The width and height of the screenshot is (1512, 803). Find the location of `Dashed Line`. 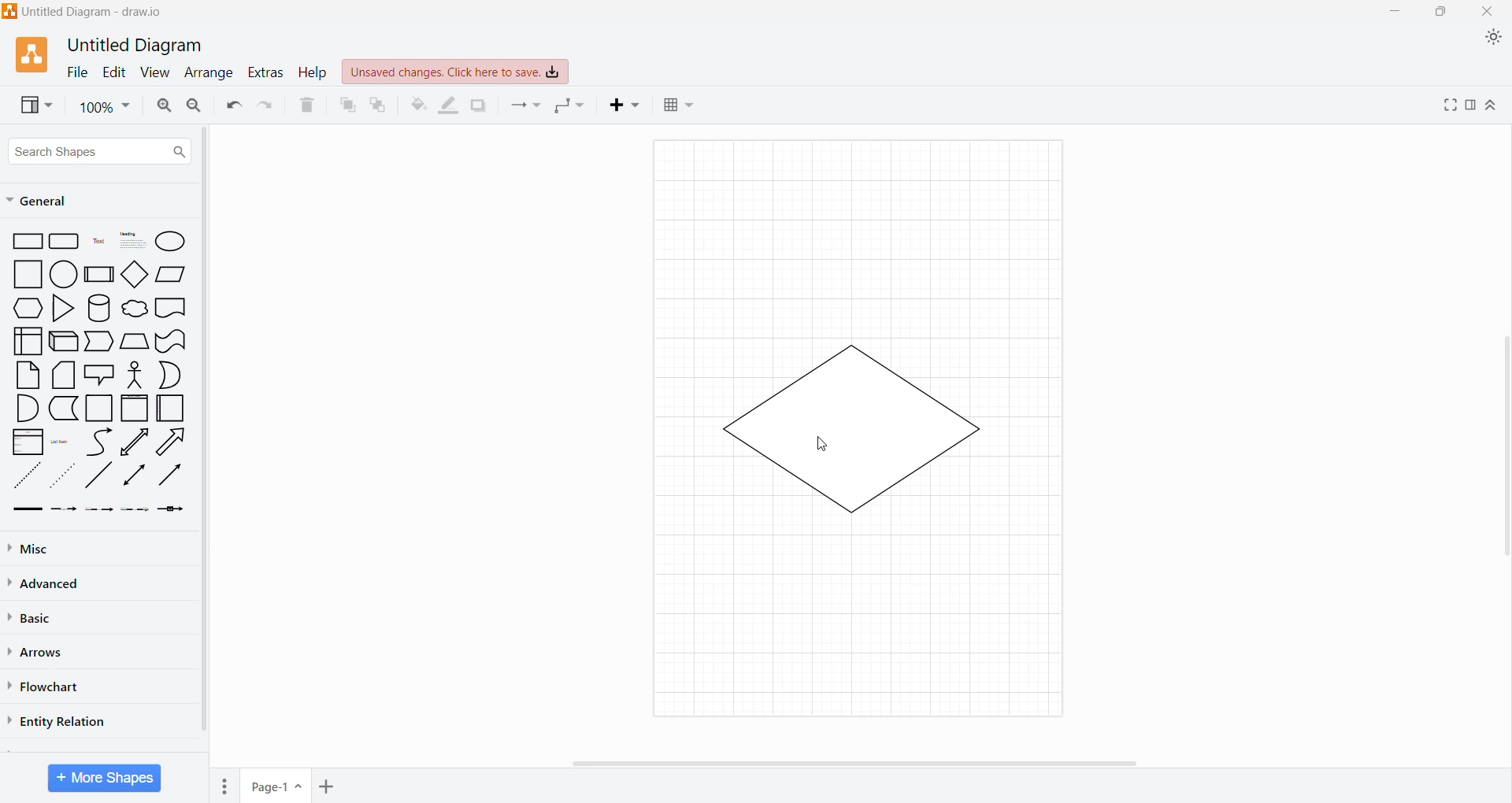

Dashed Line is located at coordinates (28, 479).